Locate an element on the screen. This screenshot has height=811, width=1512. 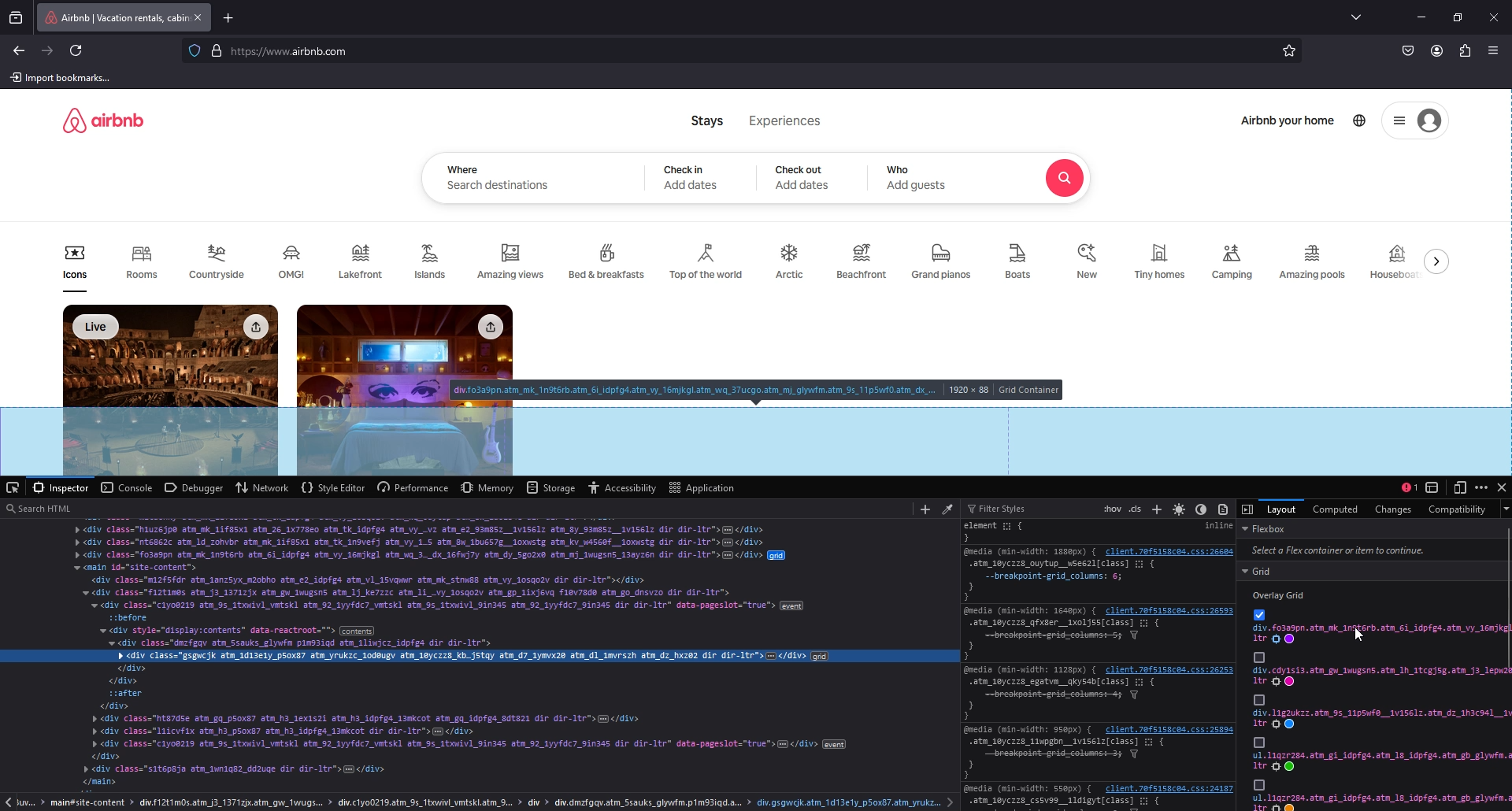
Experiences  is located at coordinates (786, 120).